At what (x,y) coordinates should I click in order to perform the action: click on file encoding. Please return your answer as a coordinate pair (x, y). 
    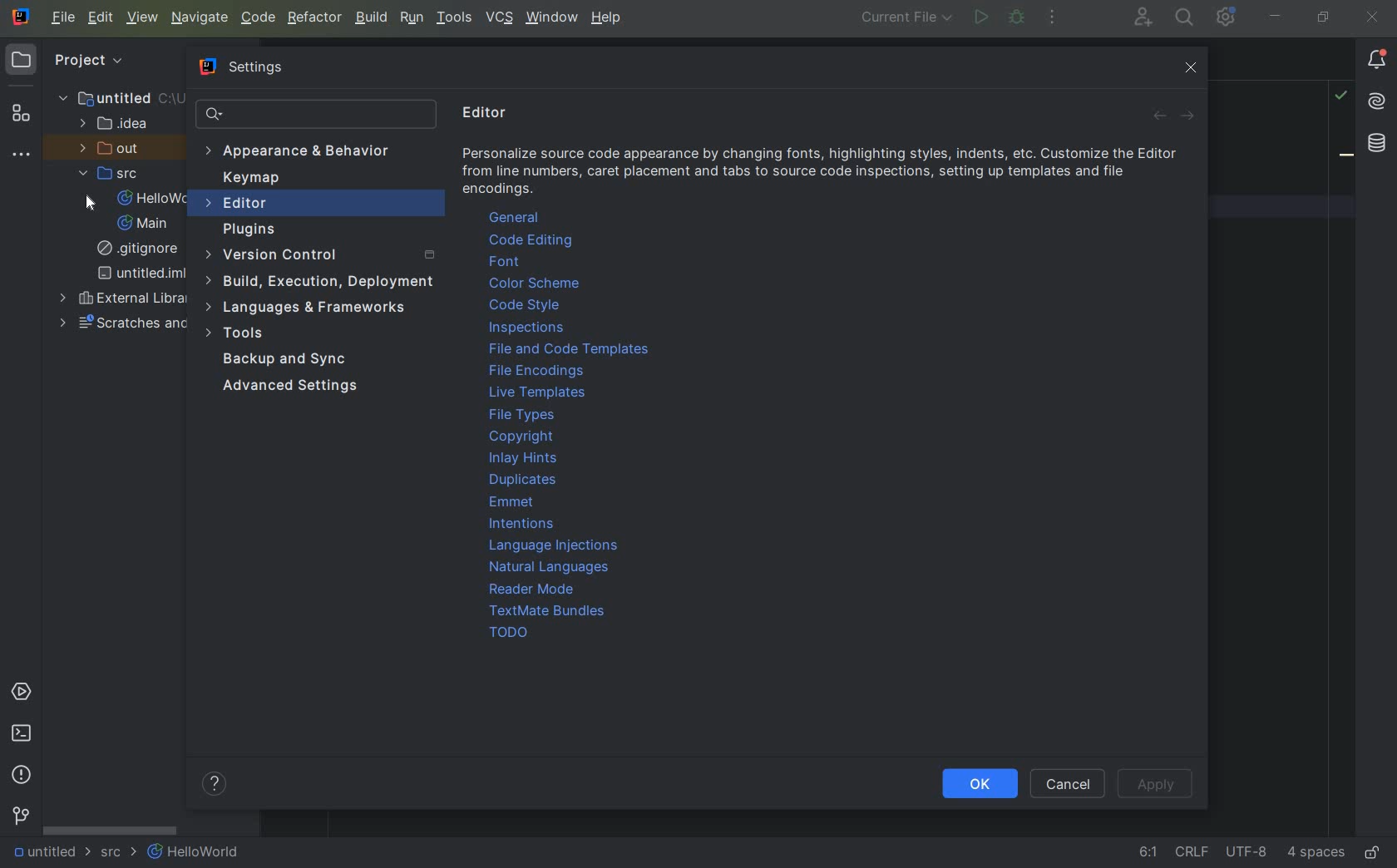
    Looking at the image, I should click on (1247, 853).